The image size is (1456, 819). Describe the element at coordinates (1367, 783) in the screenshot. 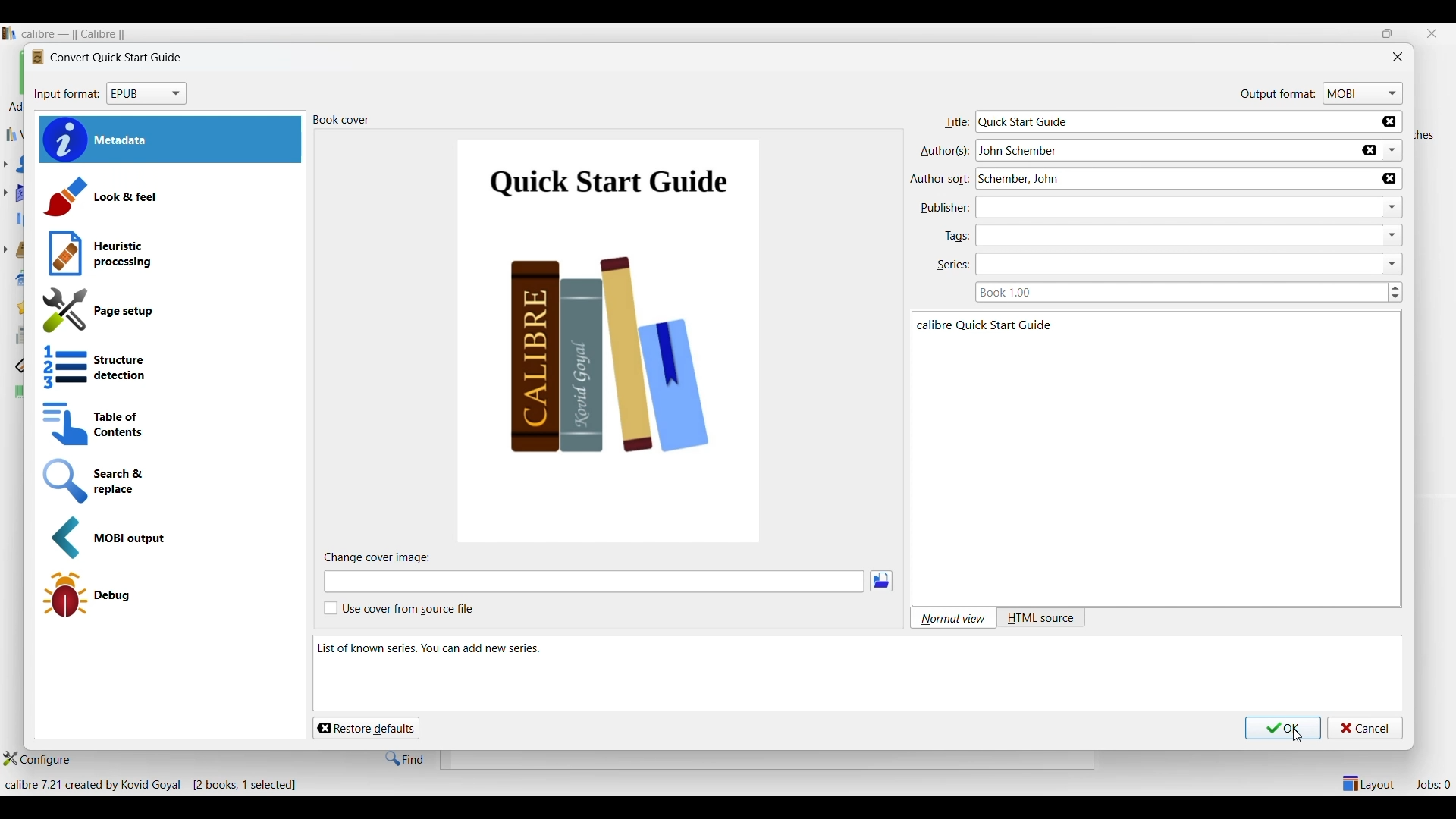

I see `Show/Hide parts of layout` at that location.